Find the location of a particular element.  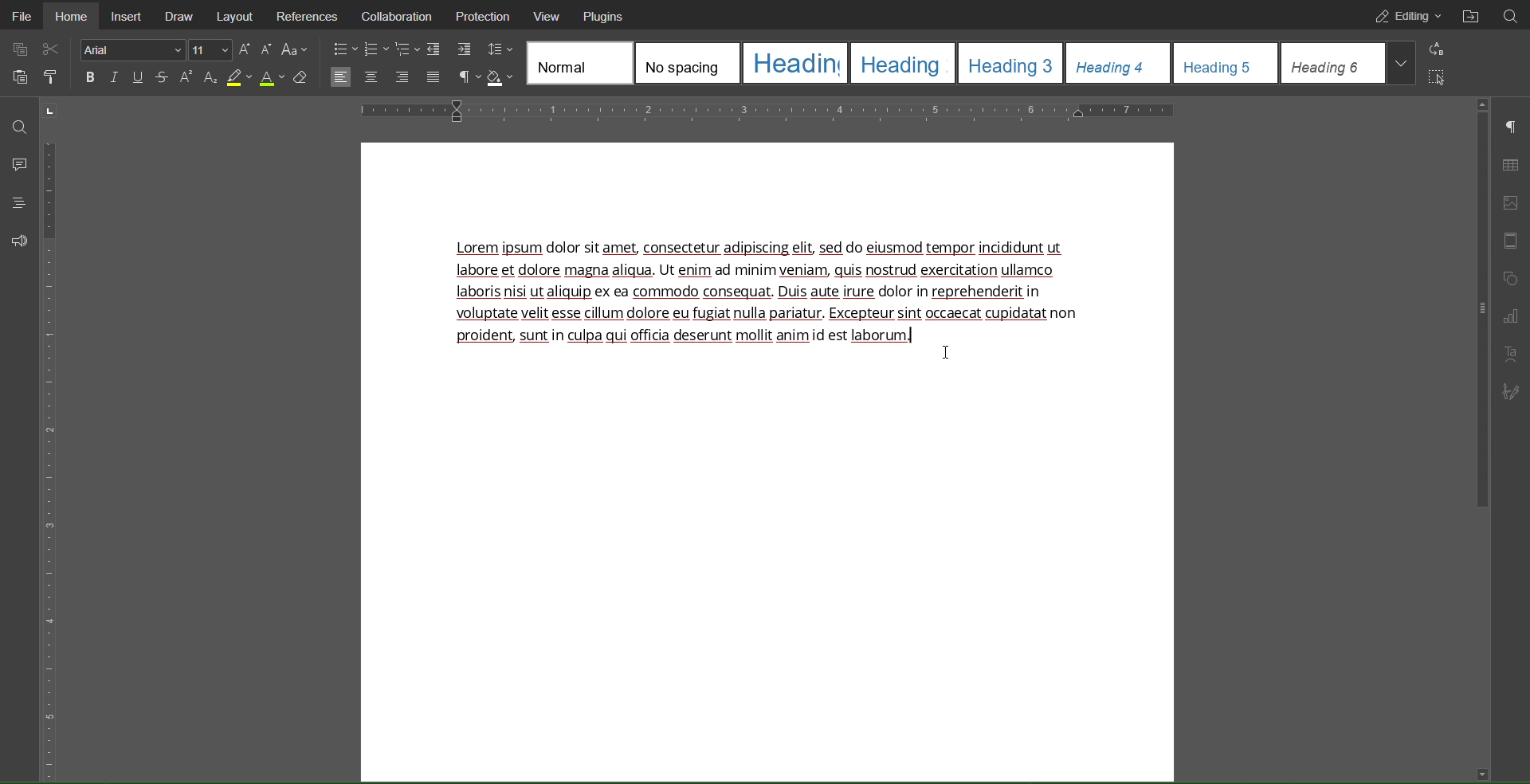

Heading 6 is located at coordinates (1345, 63).